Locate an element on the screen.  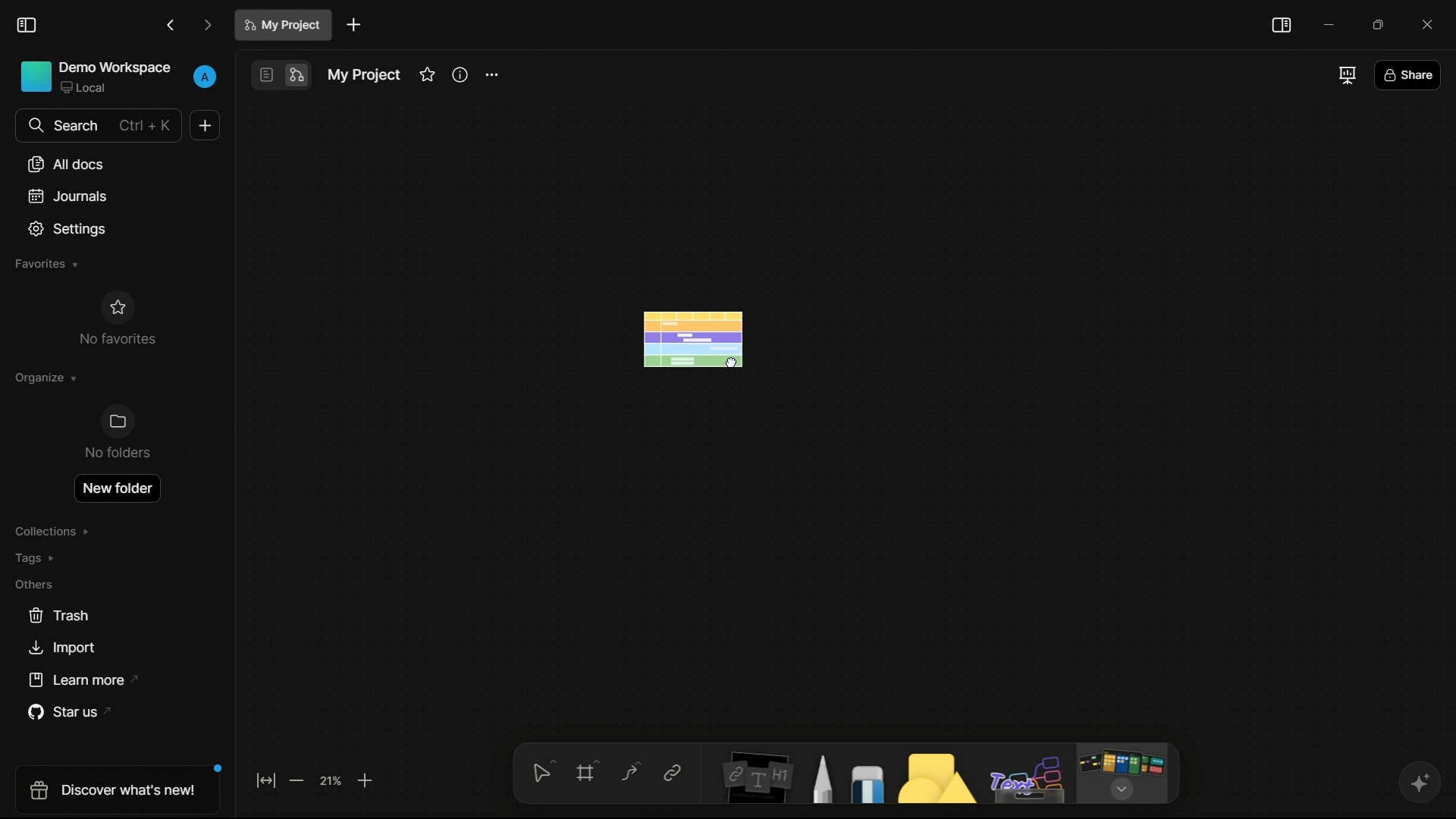
others is located at coordinates (1027, 777).